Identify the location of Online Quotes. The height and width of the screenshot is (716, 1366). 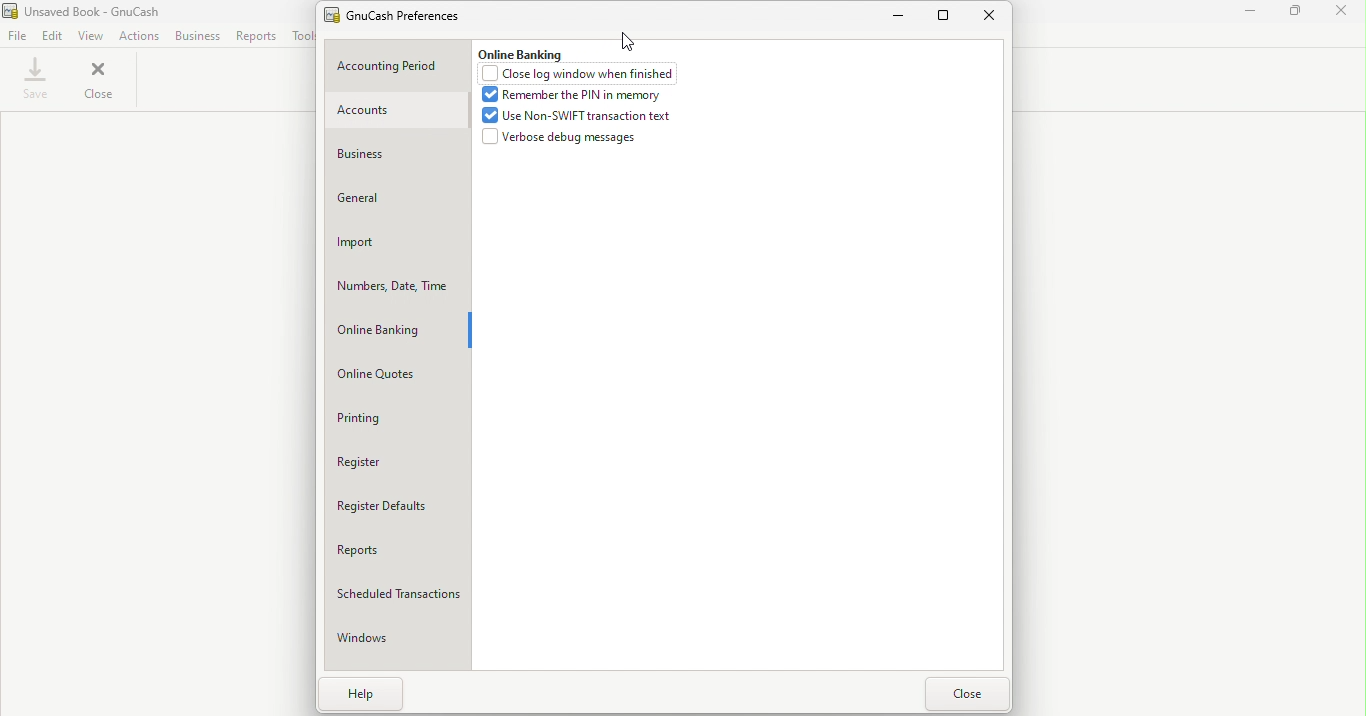
(401, 376).